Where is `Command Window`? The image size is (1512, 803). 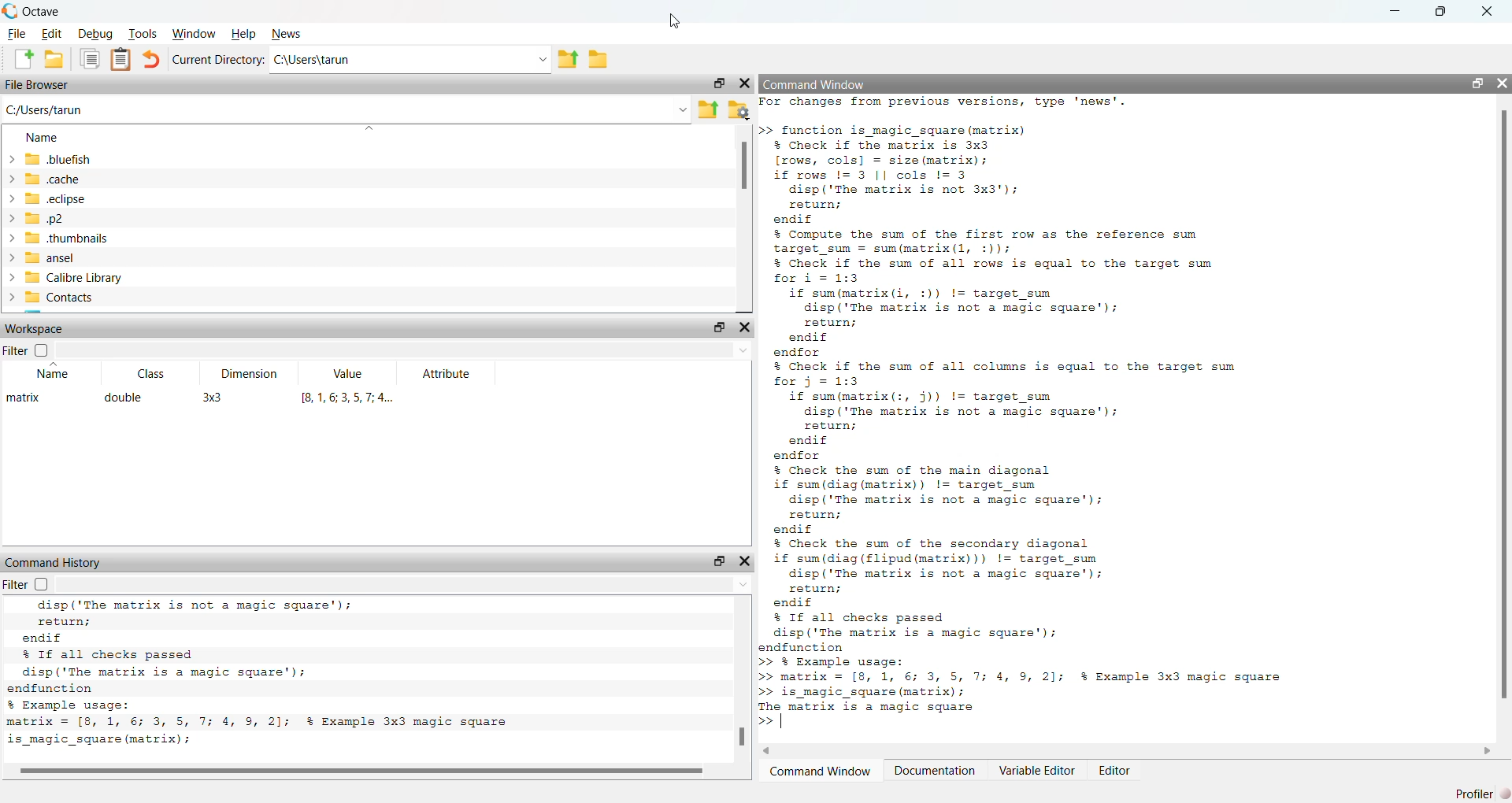
Command Window is located at coordinates (816, 84).